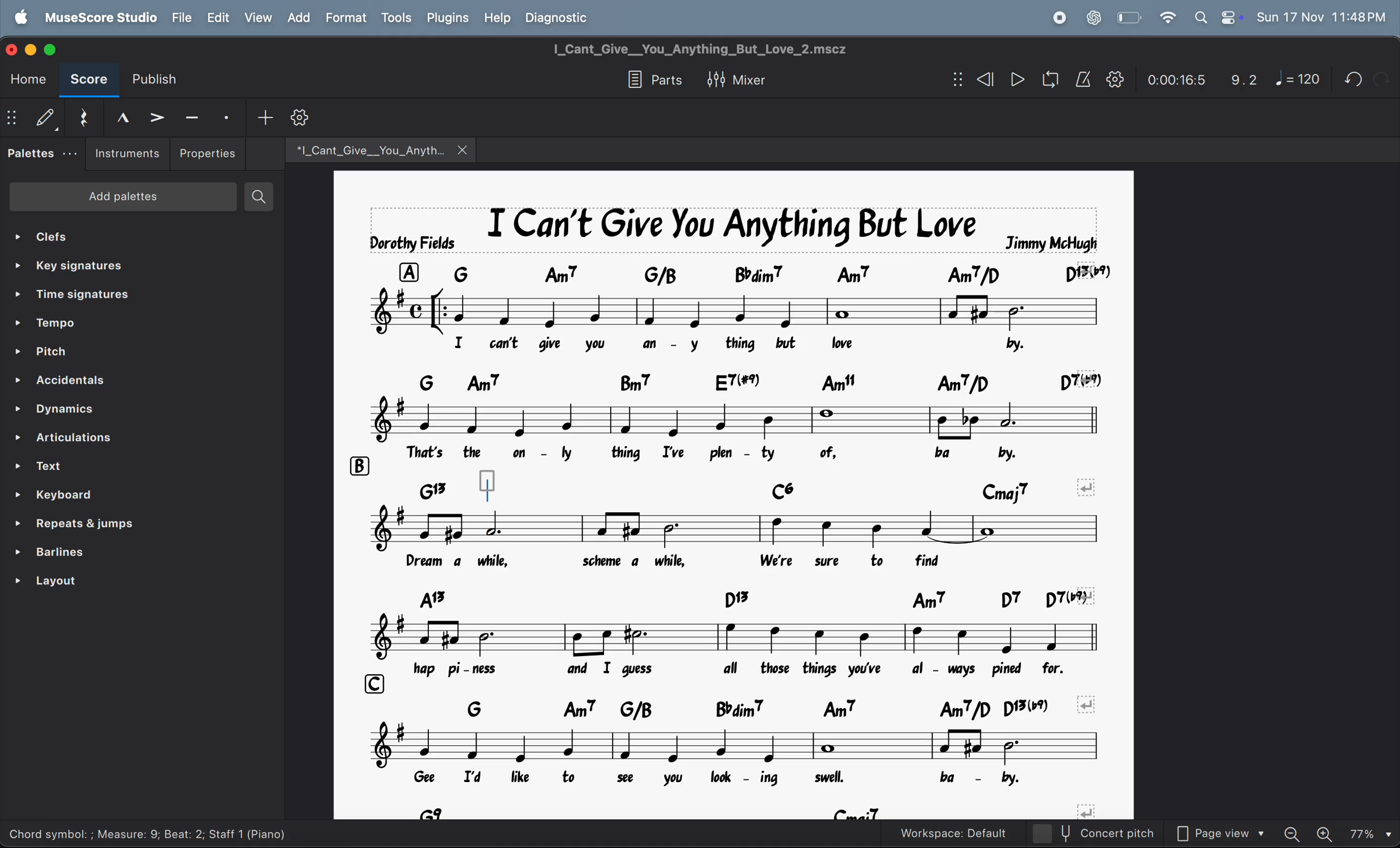  Describe the element at coordinates (755, 382) in the screenshot. I see `keynote chord` at that location.